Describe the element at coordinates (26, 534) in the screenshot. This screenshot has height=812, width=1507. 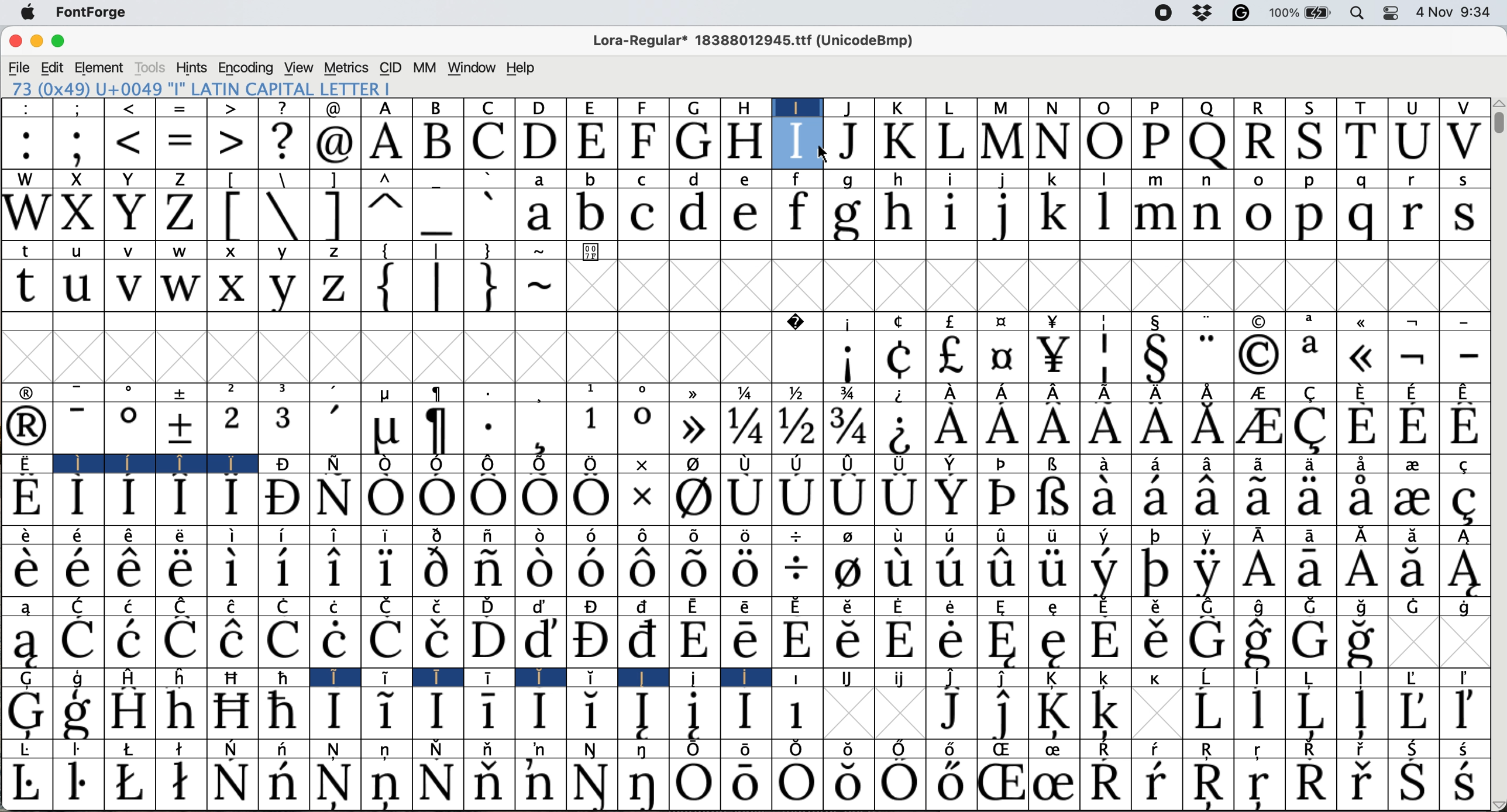
I see `Symbol` at that location.